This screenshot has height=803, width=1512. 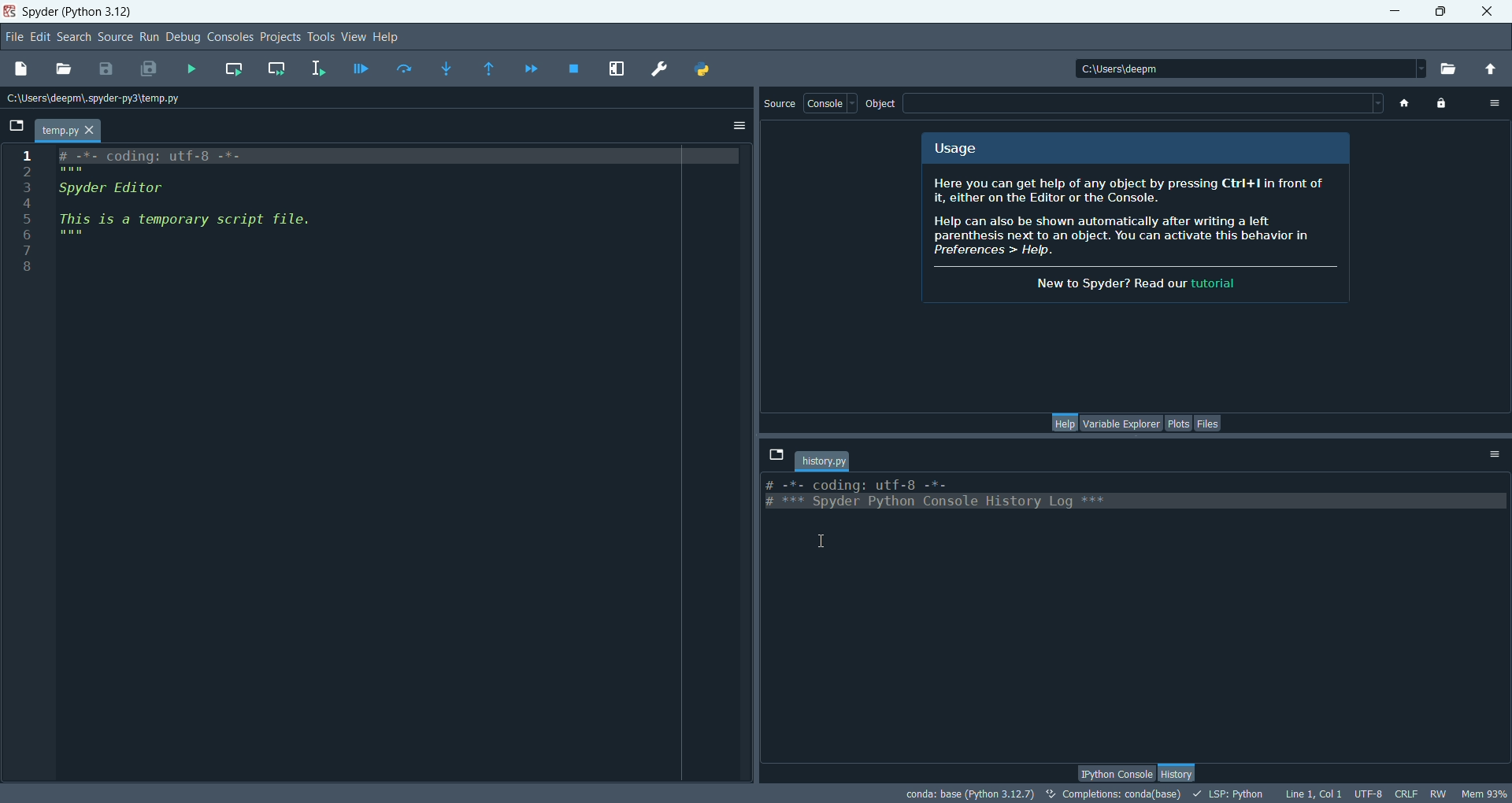 What do you see at coordinates (1395, 12) in the screenshot?
I see `minimize` at bounding box center [1395, 12].